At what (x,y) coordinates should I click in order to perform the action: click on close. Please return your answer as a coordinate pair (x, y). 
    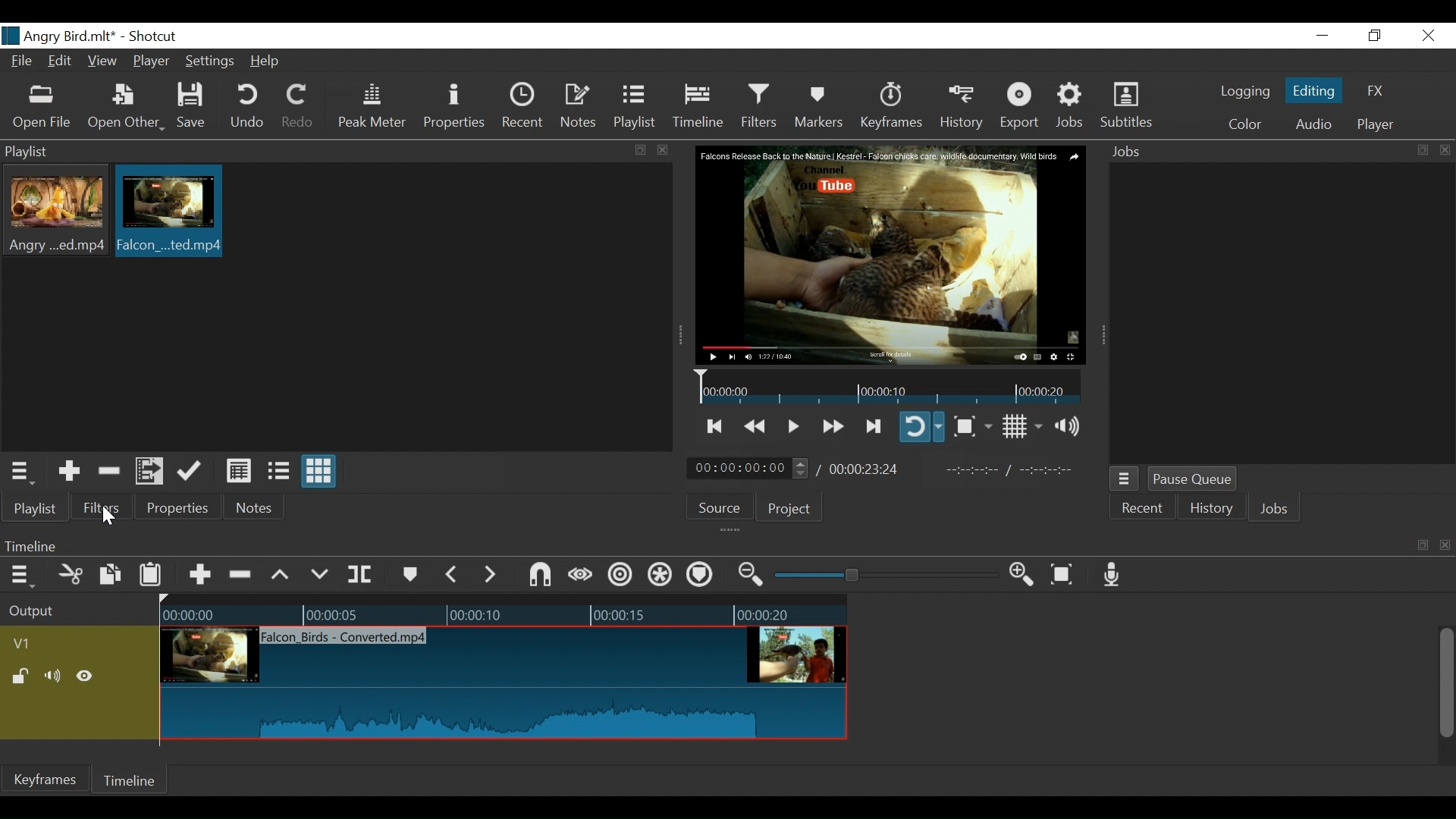
    Looking at the image, I should click on (664, 150).